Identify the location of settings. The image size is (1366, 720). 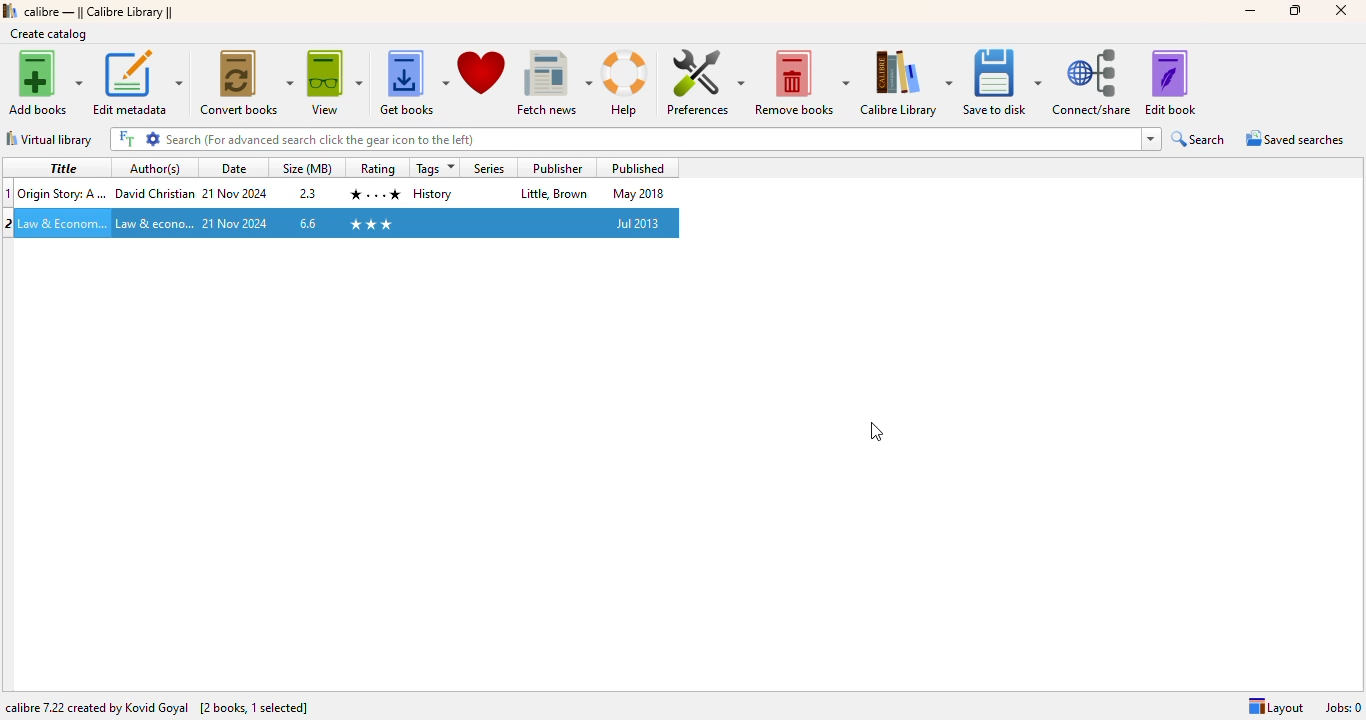
(153, 139).